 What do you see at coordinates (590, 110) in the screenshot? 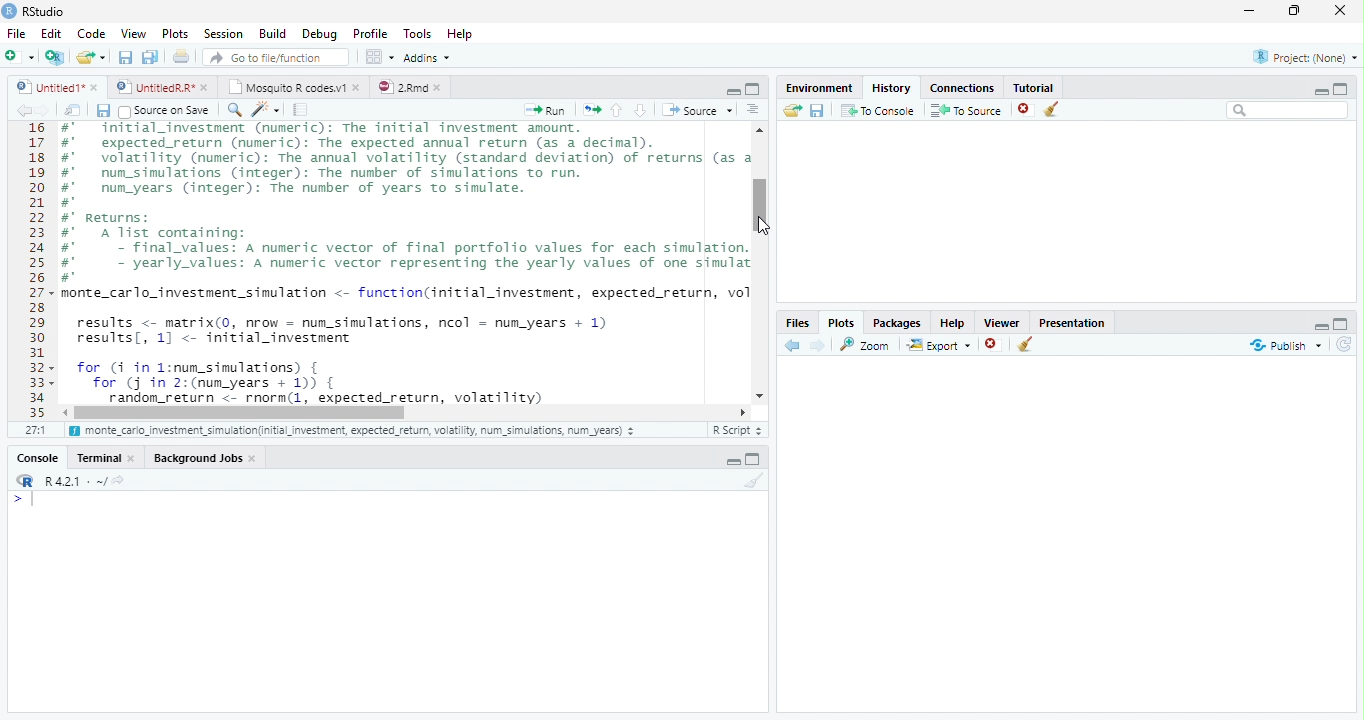
I see `Re-run the previous code region` at bounding box center [590, 110].